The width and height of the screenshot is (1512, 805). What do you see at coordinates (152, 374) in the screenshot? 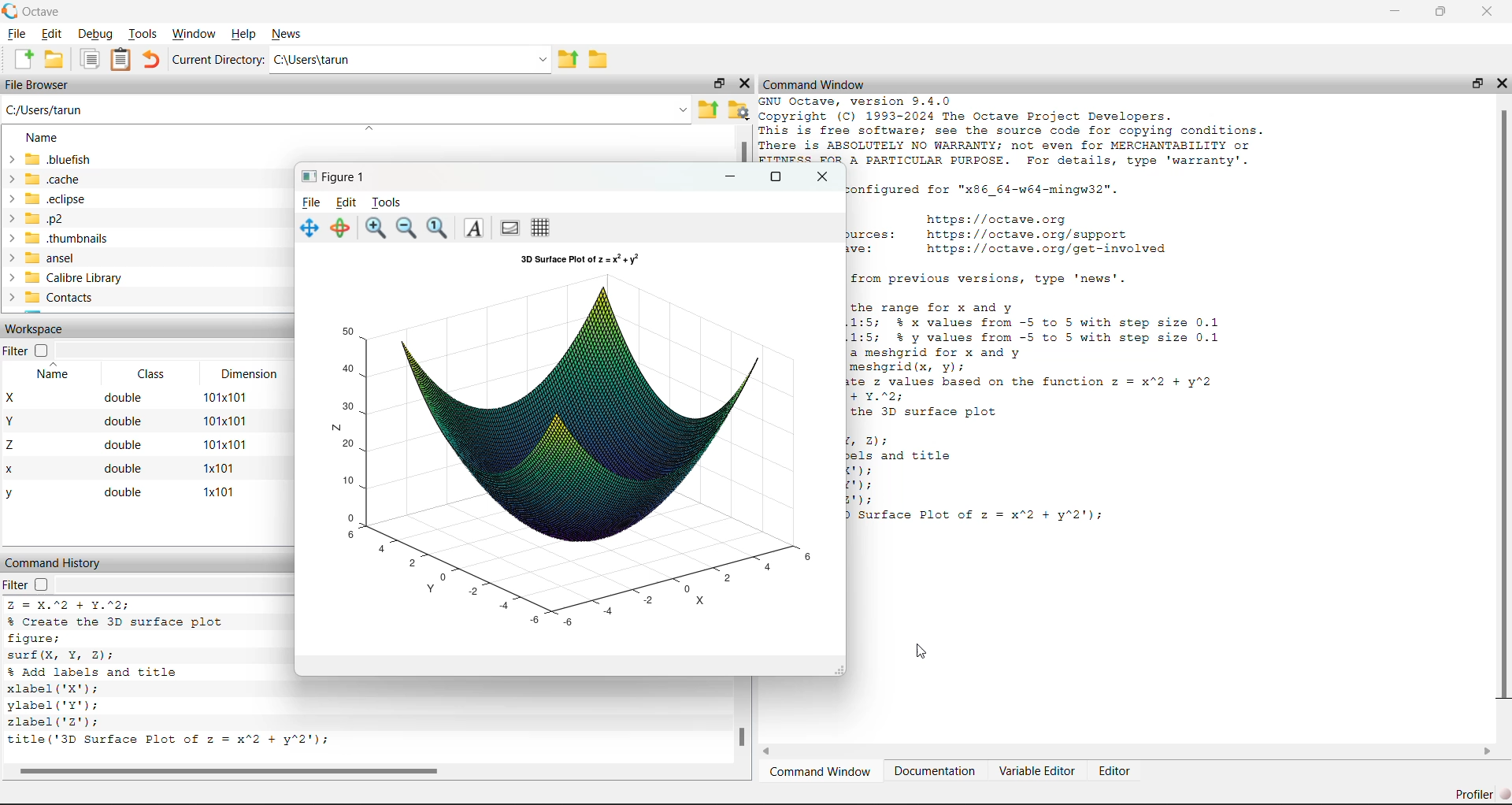
I see `Class` at bounding box center [152, 374].